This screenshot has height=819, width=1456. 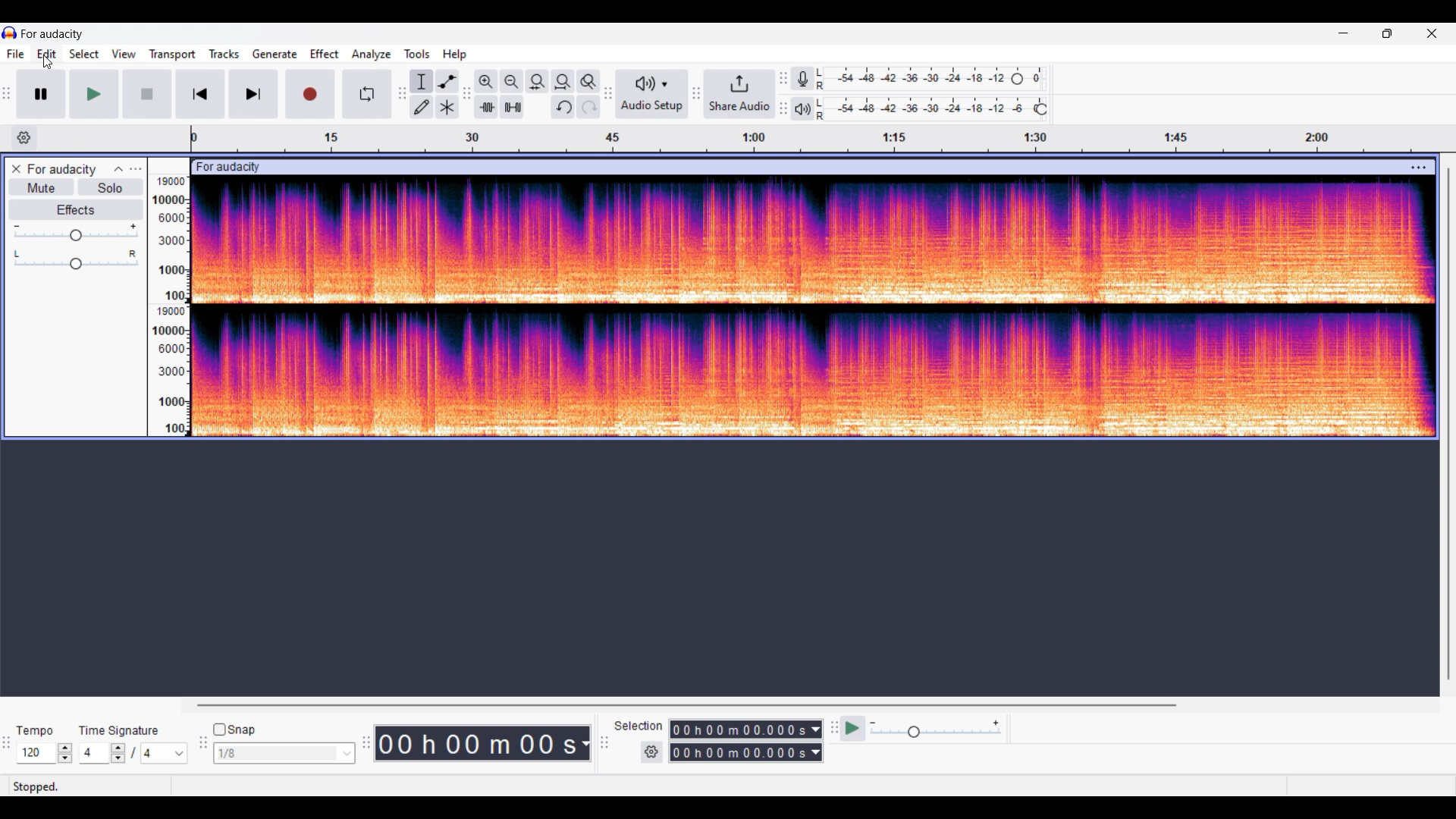 I want to click on Horizontal slide bar, so click(x=692, y=705).